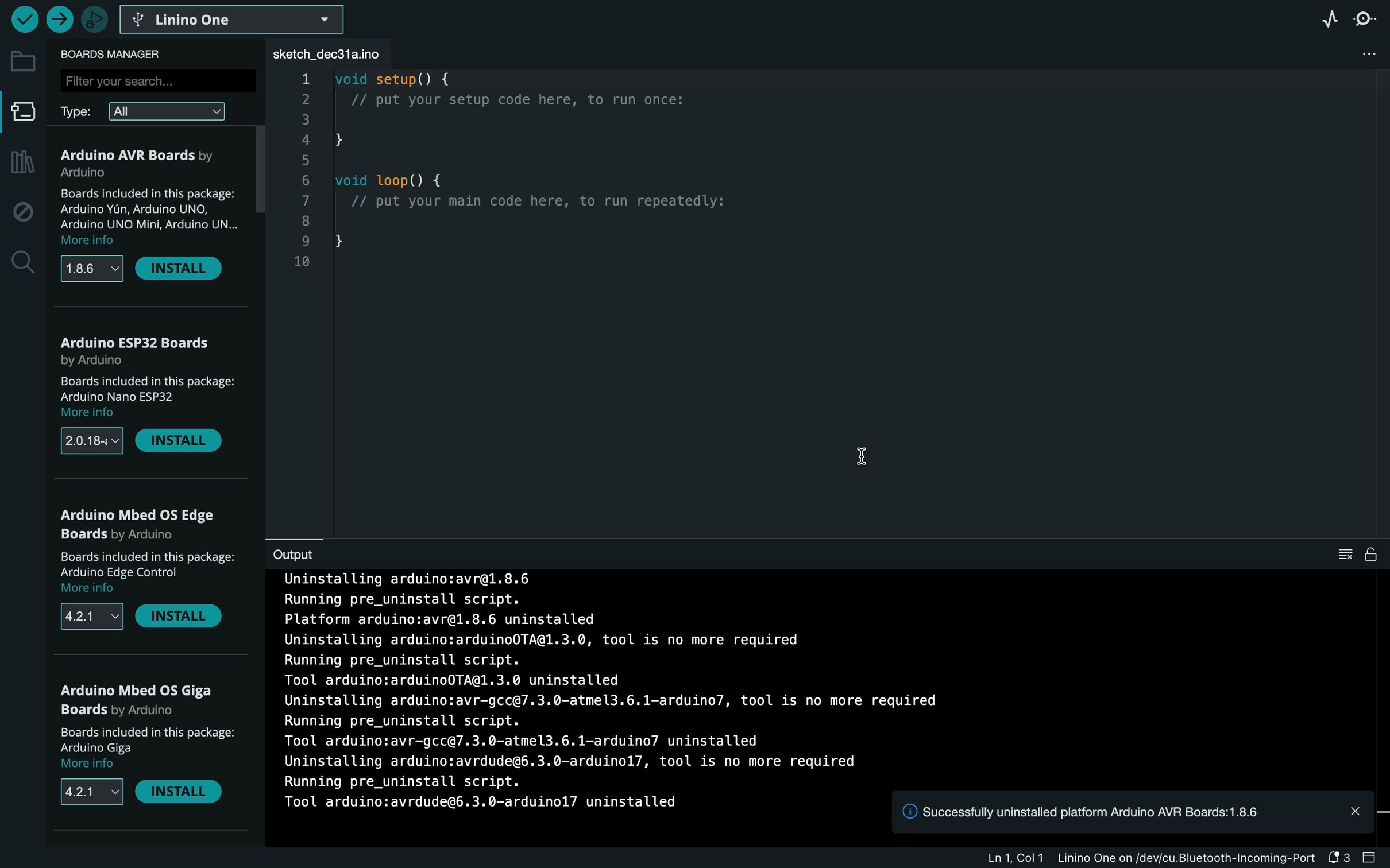  What do you see at coordinates (863, 466) in the screenshot?
I see `cursor` at bounding box center [863, 466].